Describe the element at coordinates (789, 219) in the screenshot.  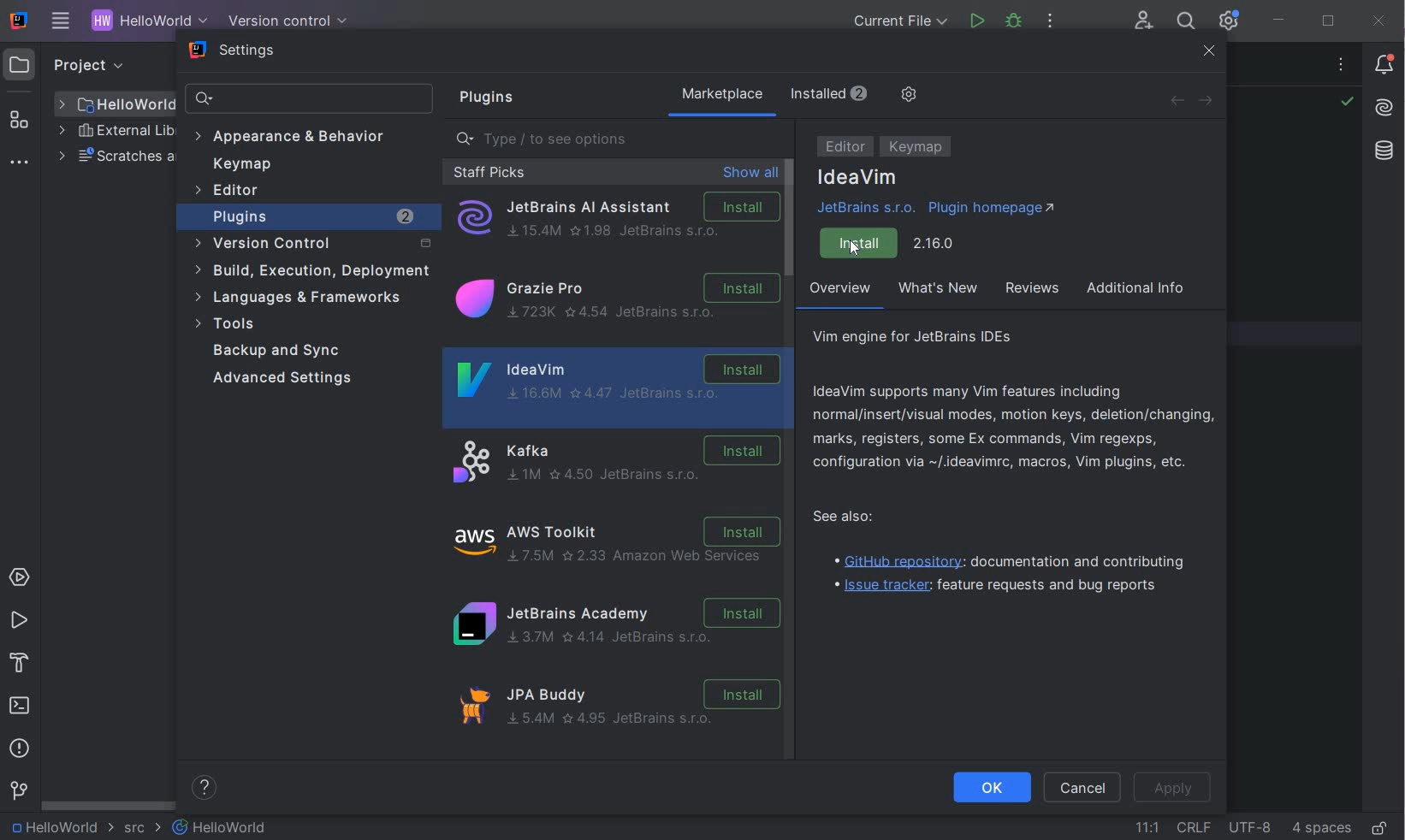
I see `scrollbar` at that location.